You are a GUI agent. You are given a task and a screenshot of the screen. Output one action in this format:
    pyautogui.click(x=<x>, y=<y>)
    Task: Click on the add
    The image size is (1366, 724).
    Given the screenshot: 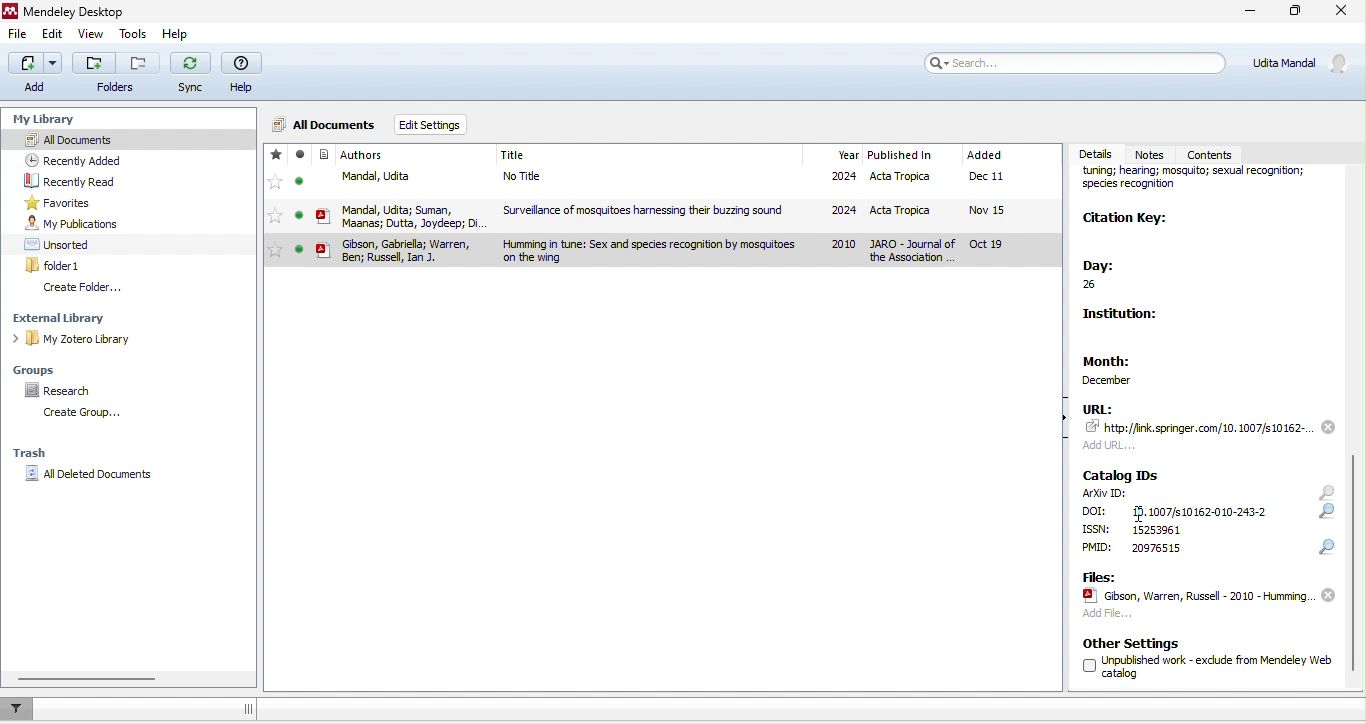 What is the action you would take?
    pyautogui.click(x=33, y=74)
    